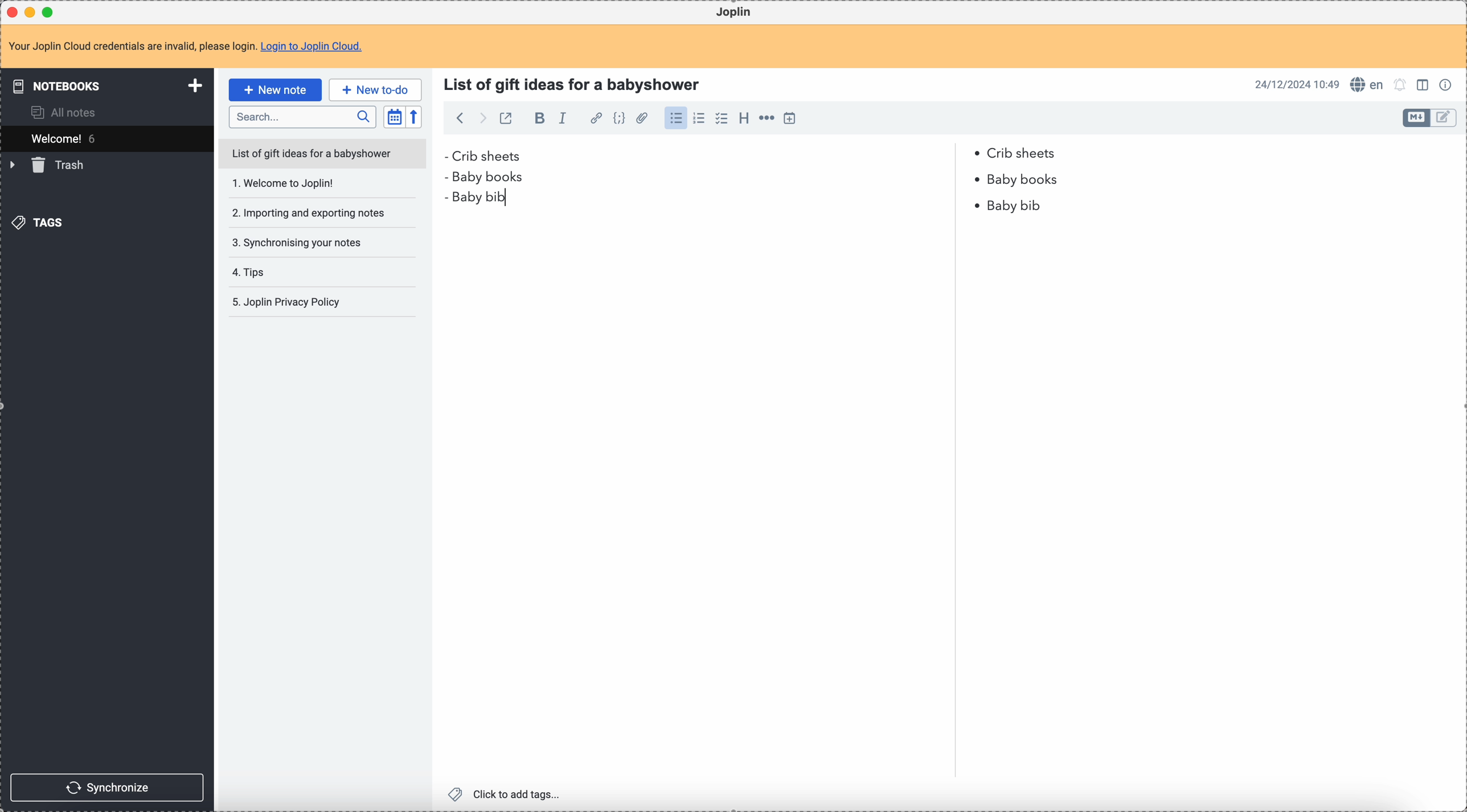 The image size is (1467, 812). I want to click on note, so click(185, 46).